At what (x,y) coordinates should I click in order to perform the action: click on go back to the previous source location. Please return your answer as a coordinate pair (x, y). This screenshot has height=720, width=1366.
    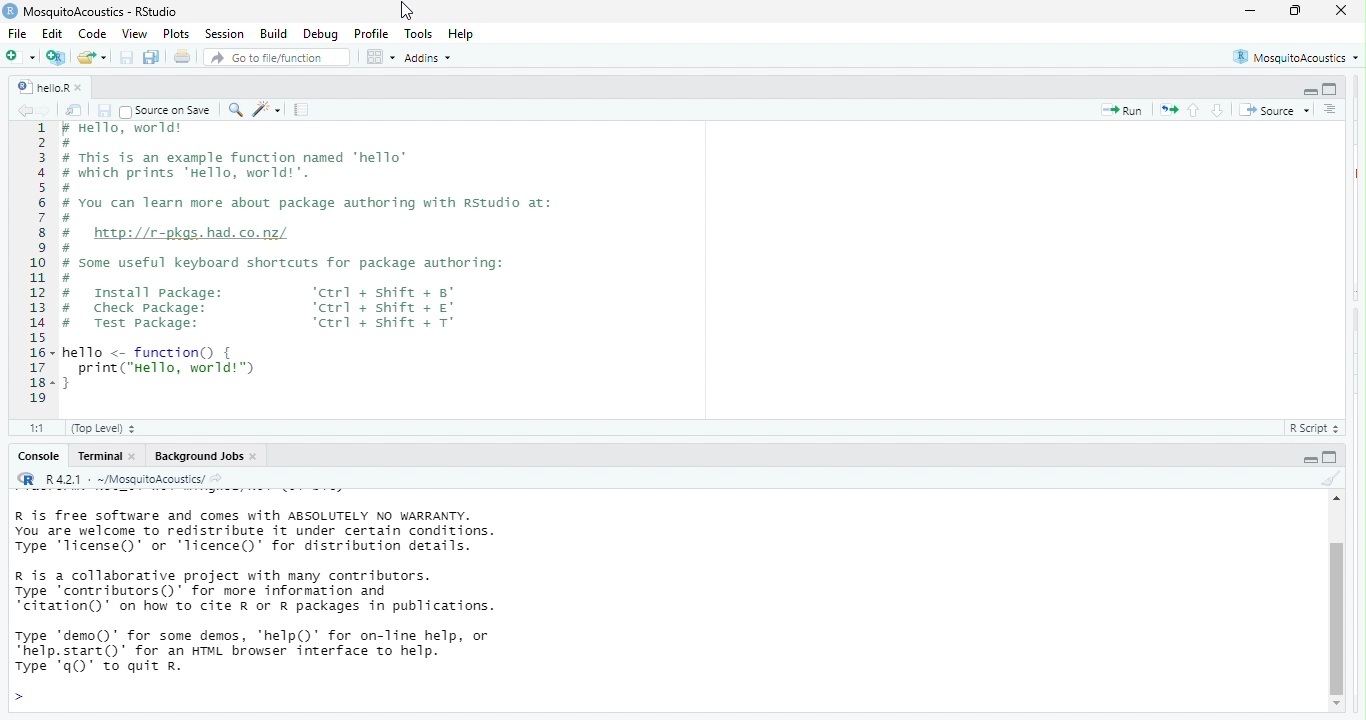
    Looking at the image, I should click on (26, 111).